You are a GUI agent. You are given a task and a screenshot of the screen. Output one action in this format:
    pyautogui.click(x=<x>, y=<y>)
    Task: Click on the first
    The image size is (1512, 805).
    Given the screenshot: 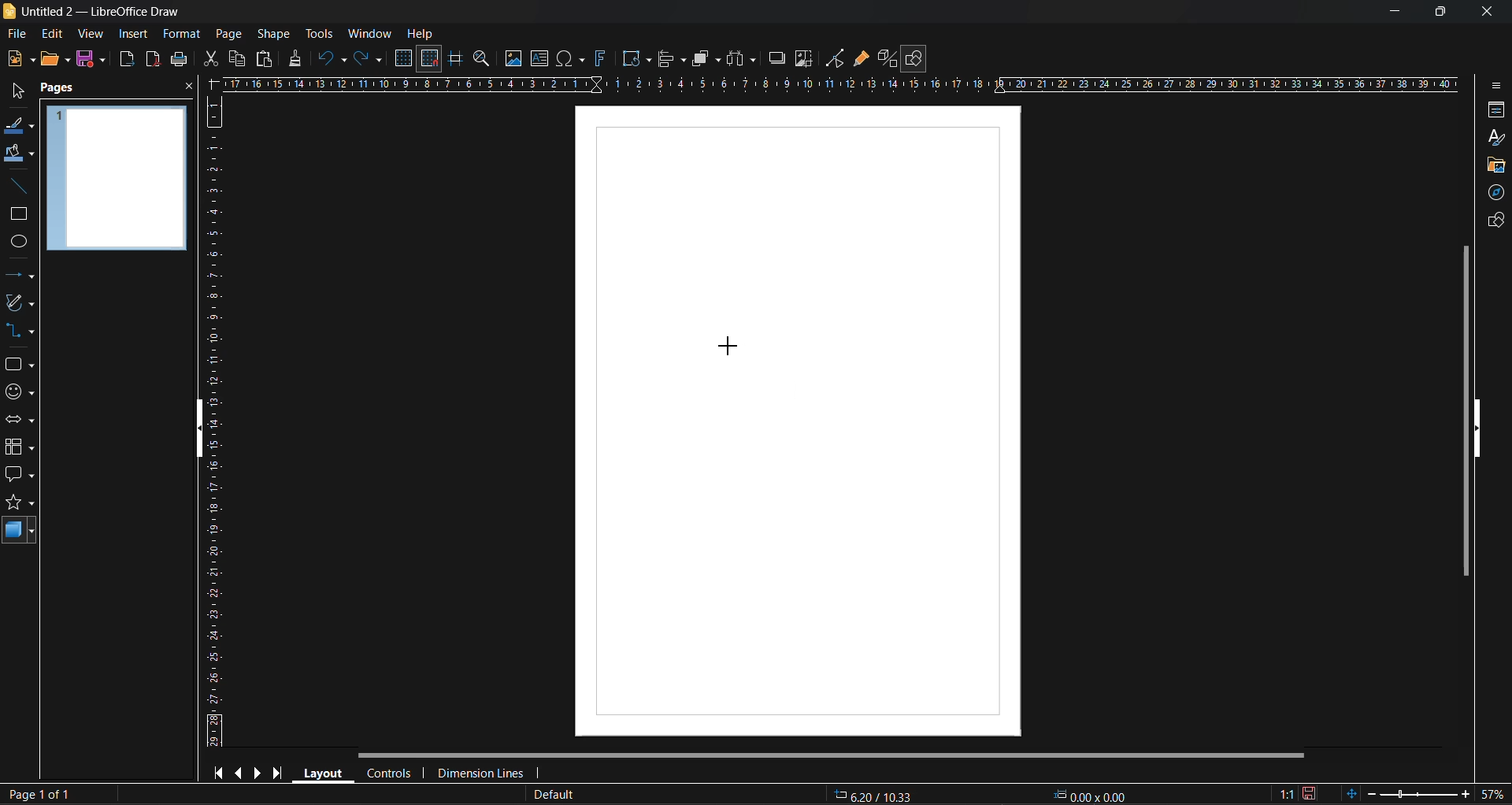 What is the action you would take?
    pyautogui.click(x=222, y=773)
    